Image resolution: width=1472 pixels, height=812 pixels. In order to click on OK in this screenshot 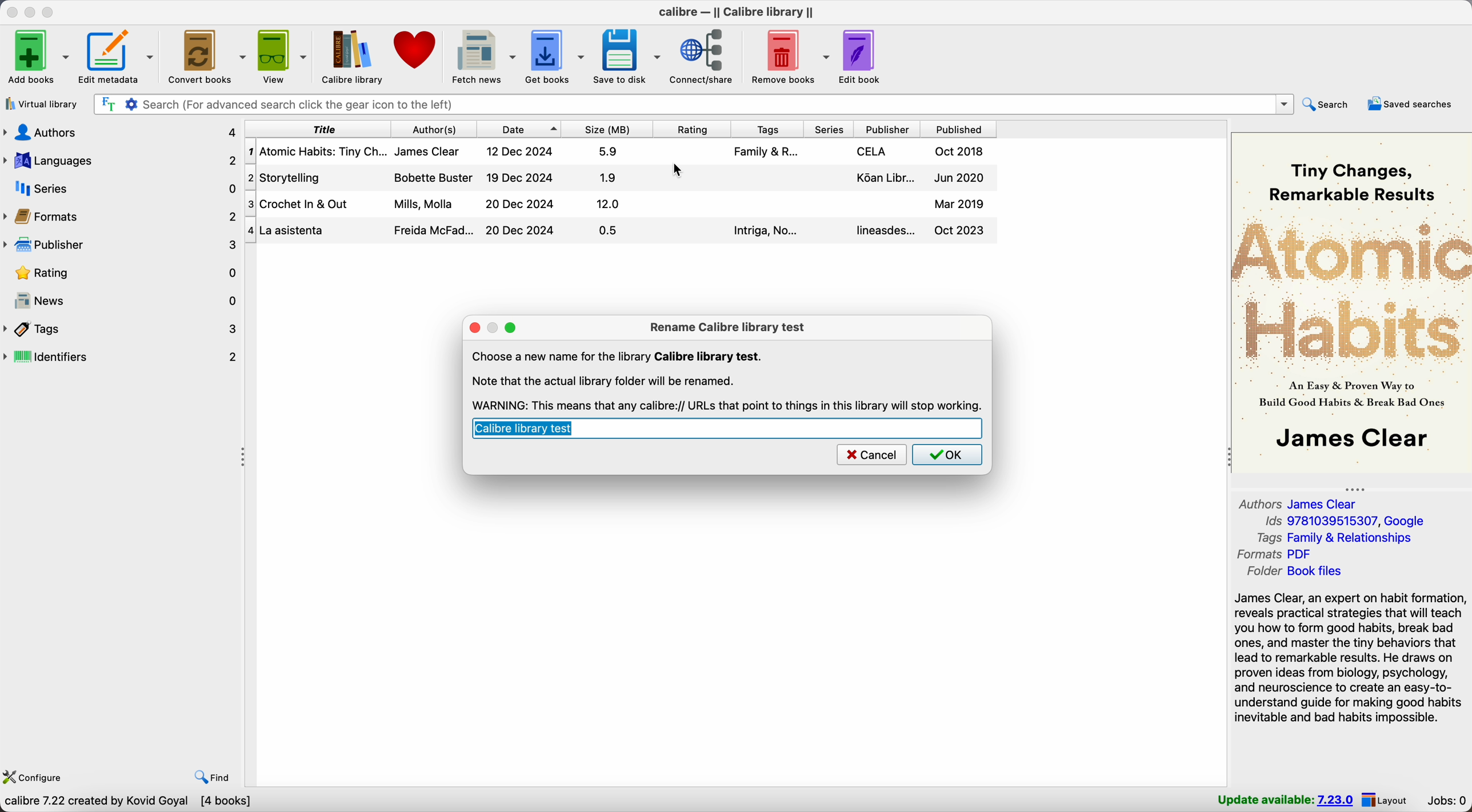, I will do `click(947, 455)`.